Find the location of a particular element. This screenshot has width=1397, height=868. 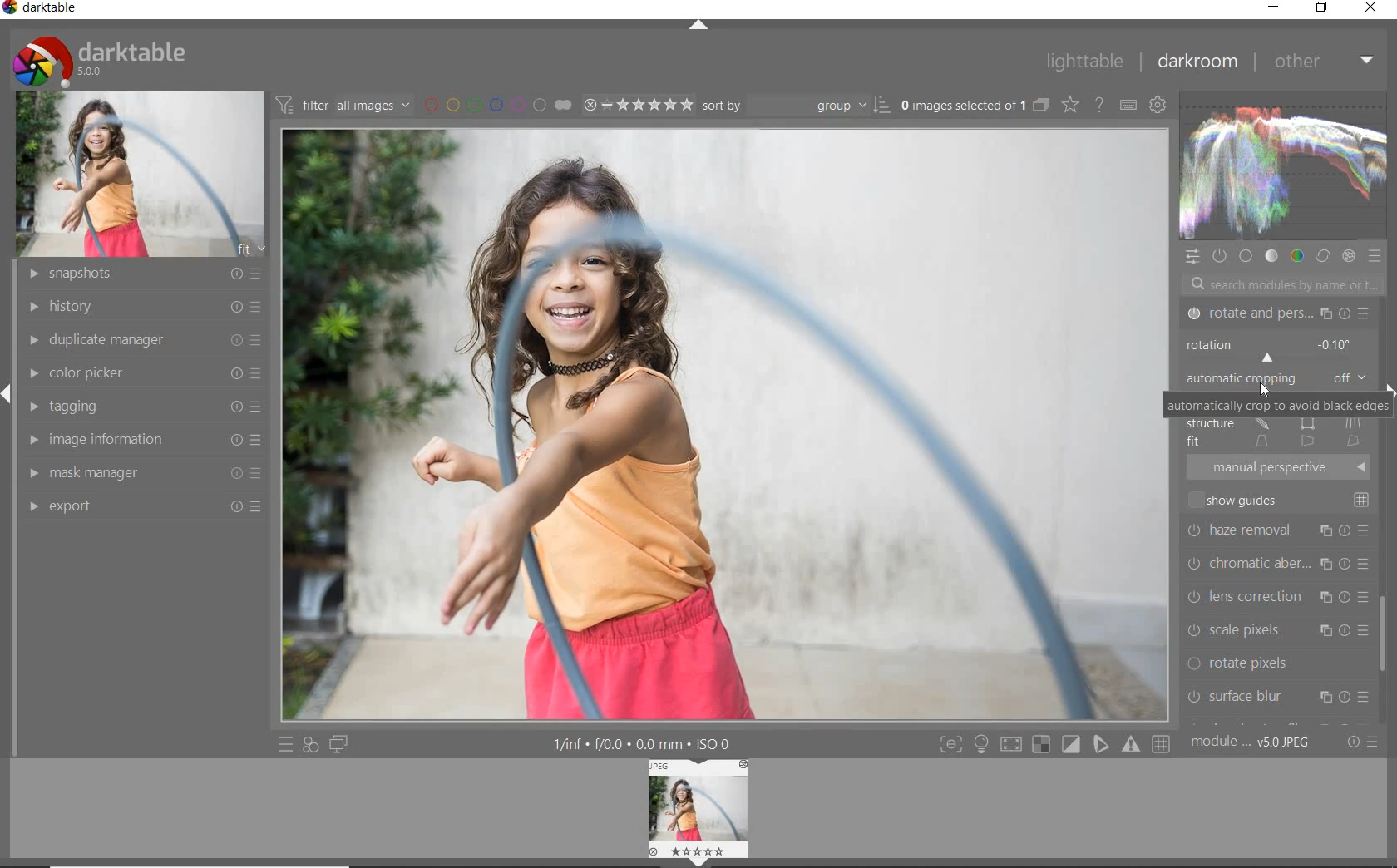

selected image is located at coordinates (725, 423).